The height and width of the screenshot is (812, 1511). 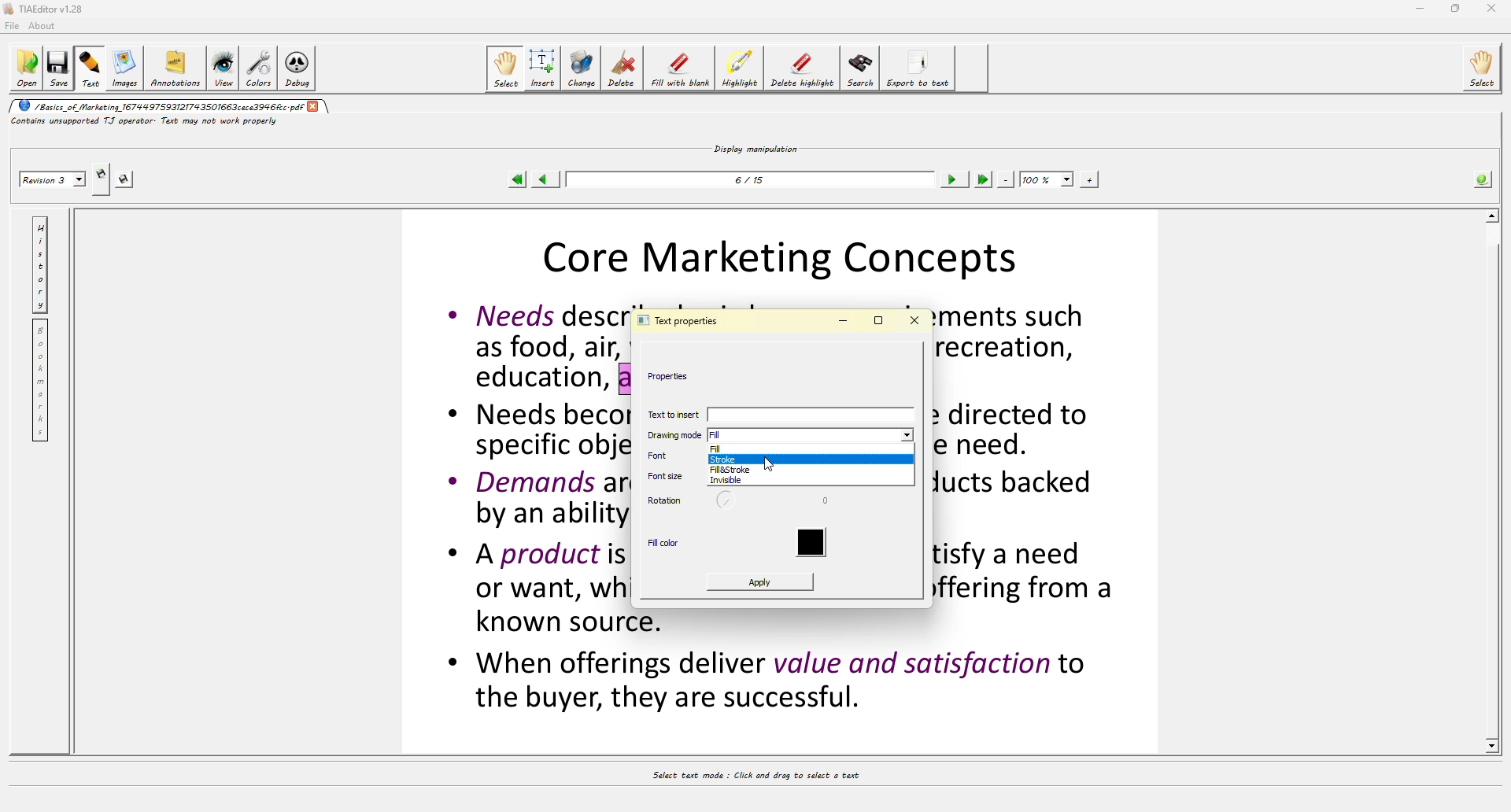 I want to click on save this revision, so click(x=126, y=179).